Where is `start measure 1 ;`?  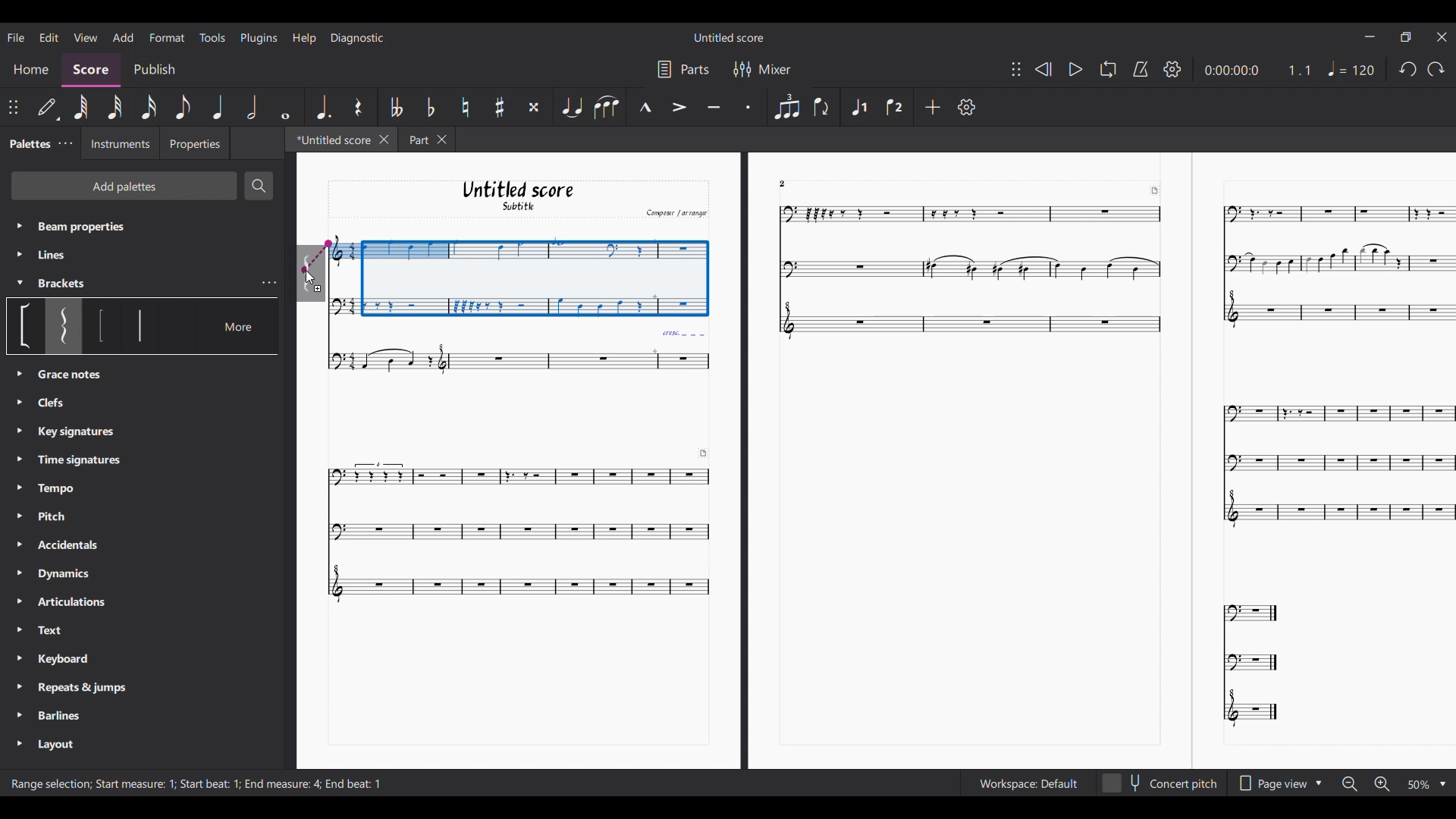
start measure 1 ; is located at coordinates (136, 783).